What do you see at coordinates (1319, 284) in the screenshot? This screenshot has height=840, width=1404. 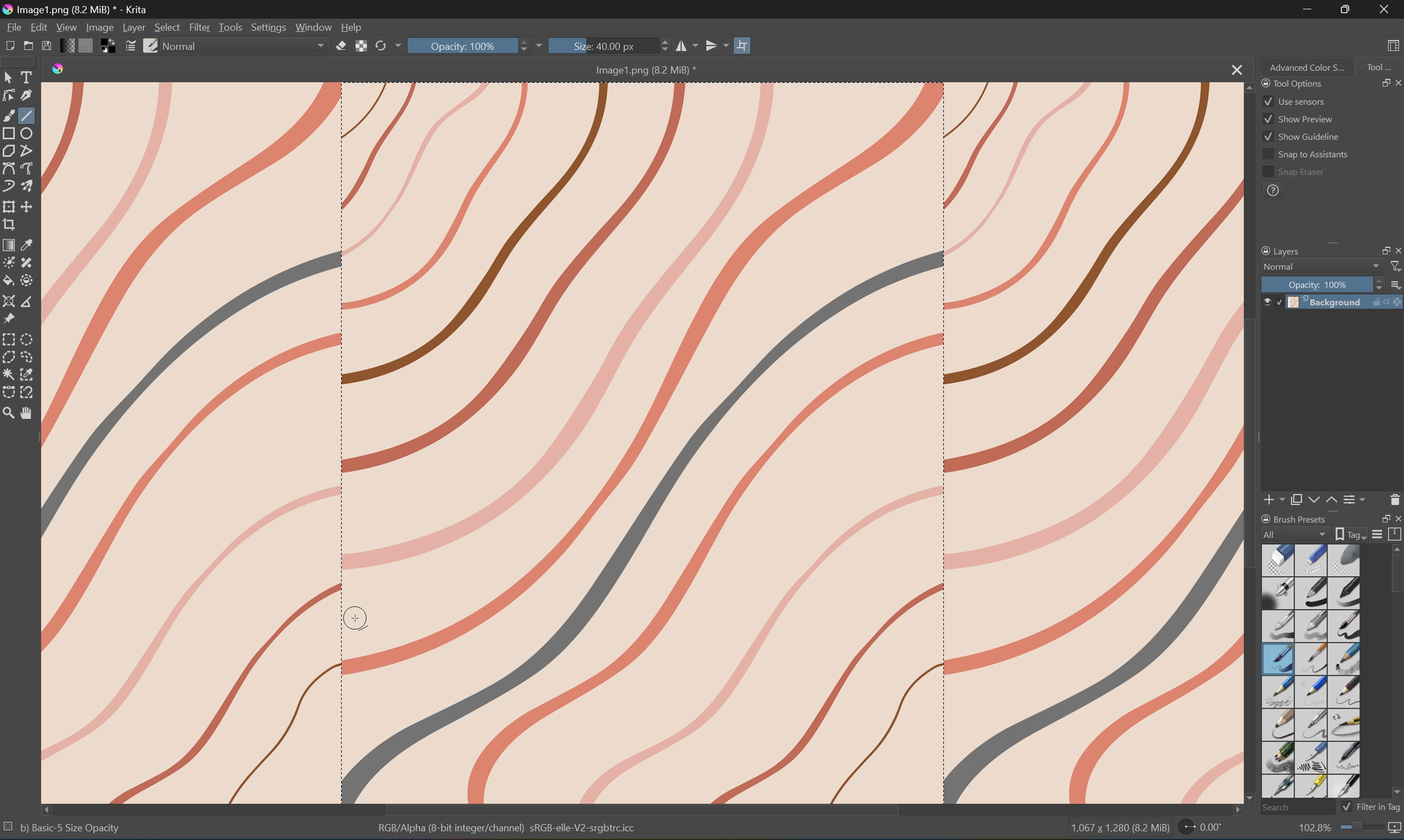 I see `Opacity: 100%` at bounding box center [1319, 284].